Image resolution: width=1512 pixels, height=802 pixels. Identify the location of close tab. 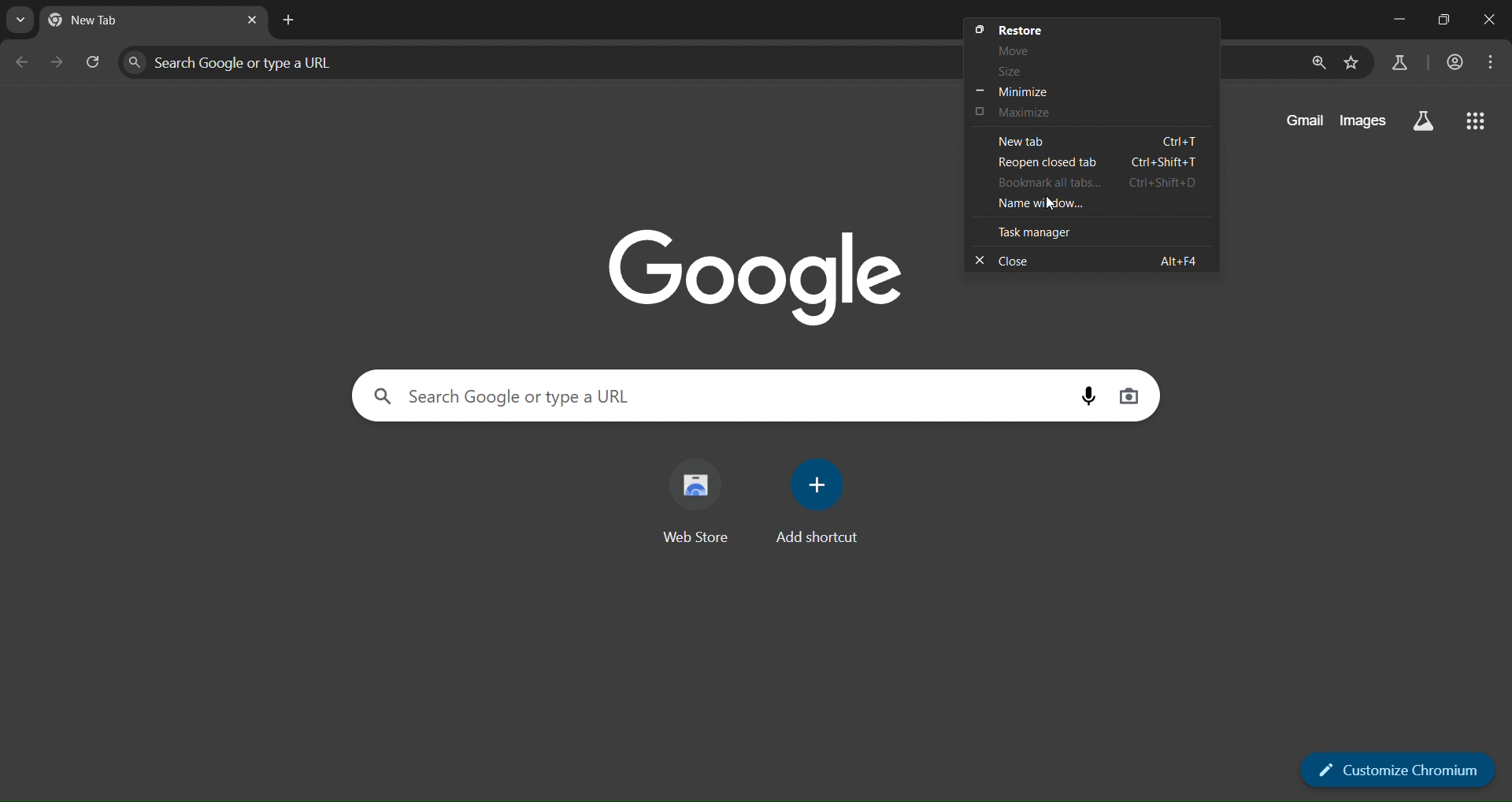
(252, 22).